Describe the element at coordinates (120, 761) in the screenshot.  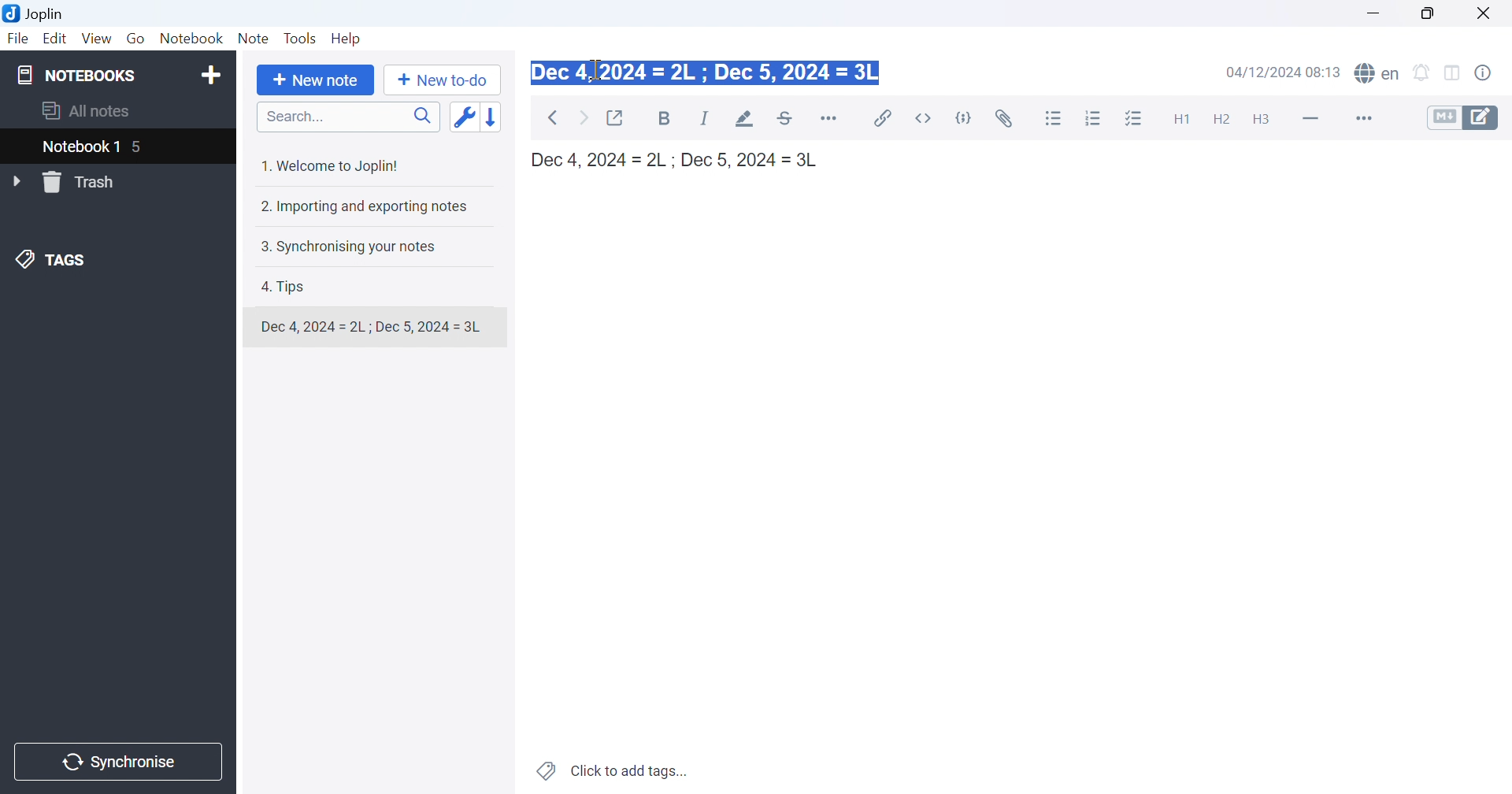
I see `Synchronise` at that location.